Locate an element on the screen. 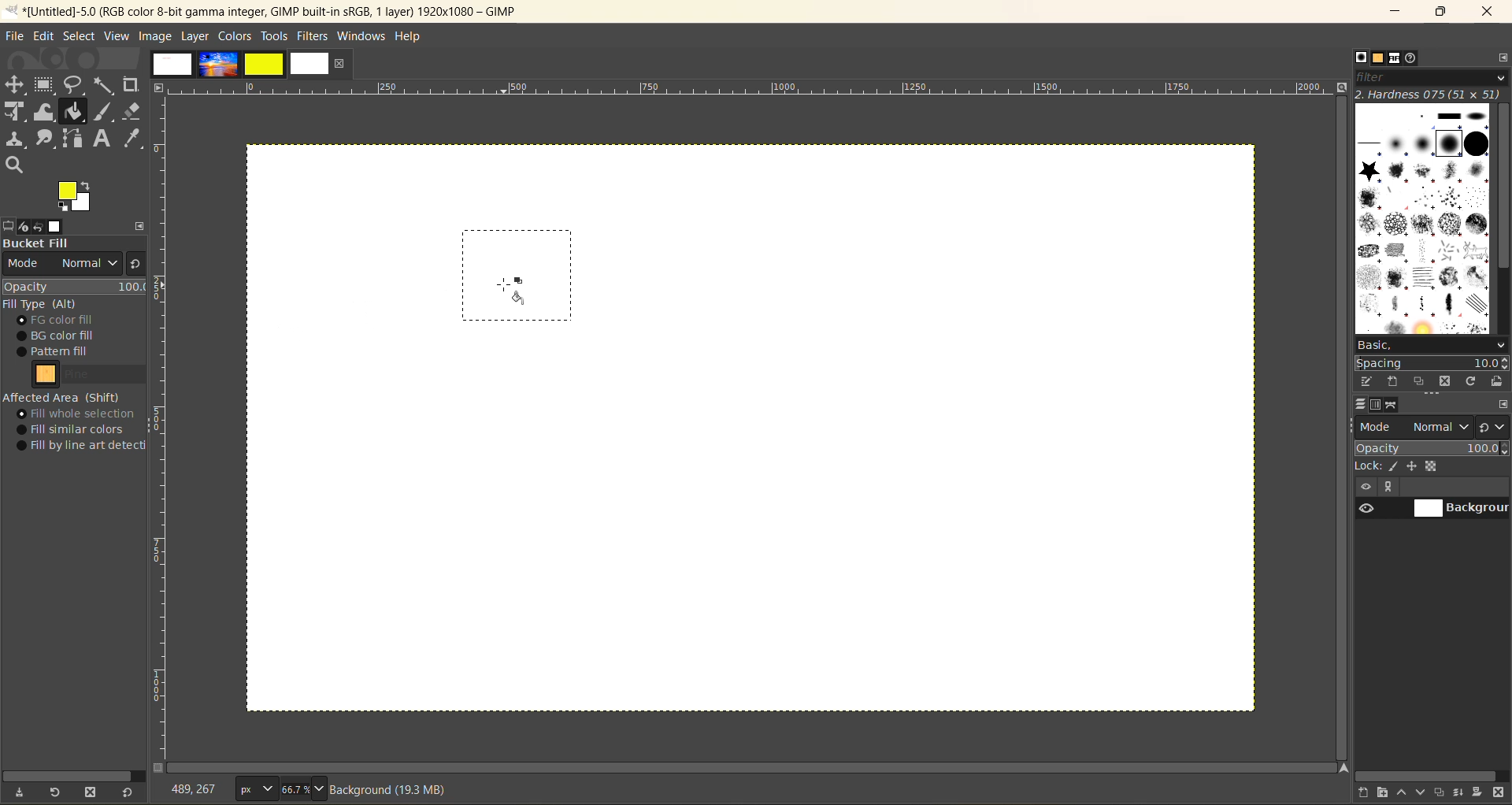  minimize is located at coordinates (1398, 10).